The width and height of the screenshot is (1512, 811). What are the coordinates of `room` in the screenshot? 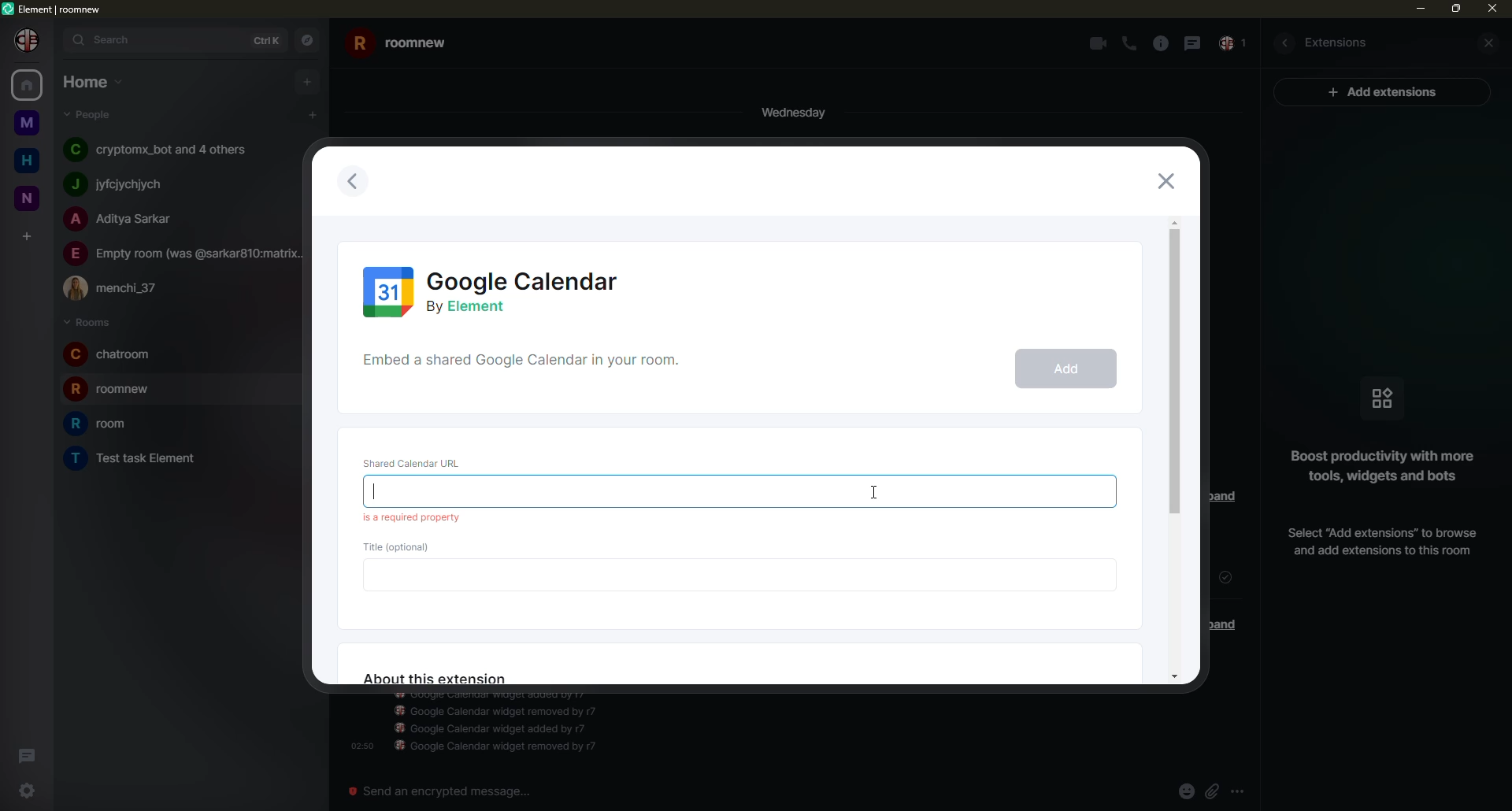 It's located at (112, 354).